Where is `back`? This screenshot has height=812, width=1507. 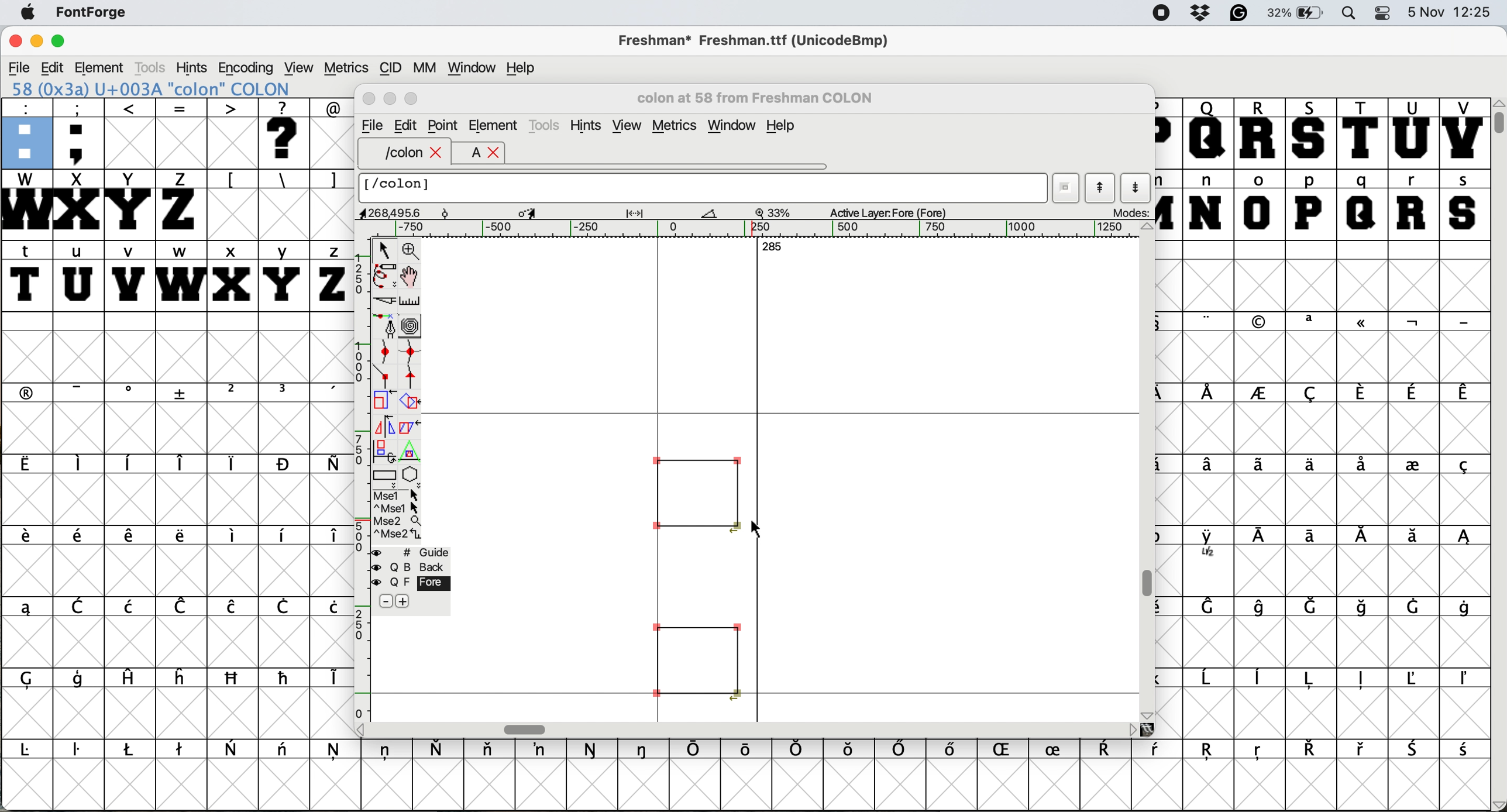
back is located at coordinates (408, 565).